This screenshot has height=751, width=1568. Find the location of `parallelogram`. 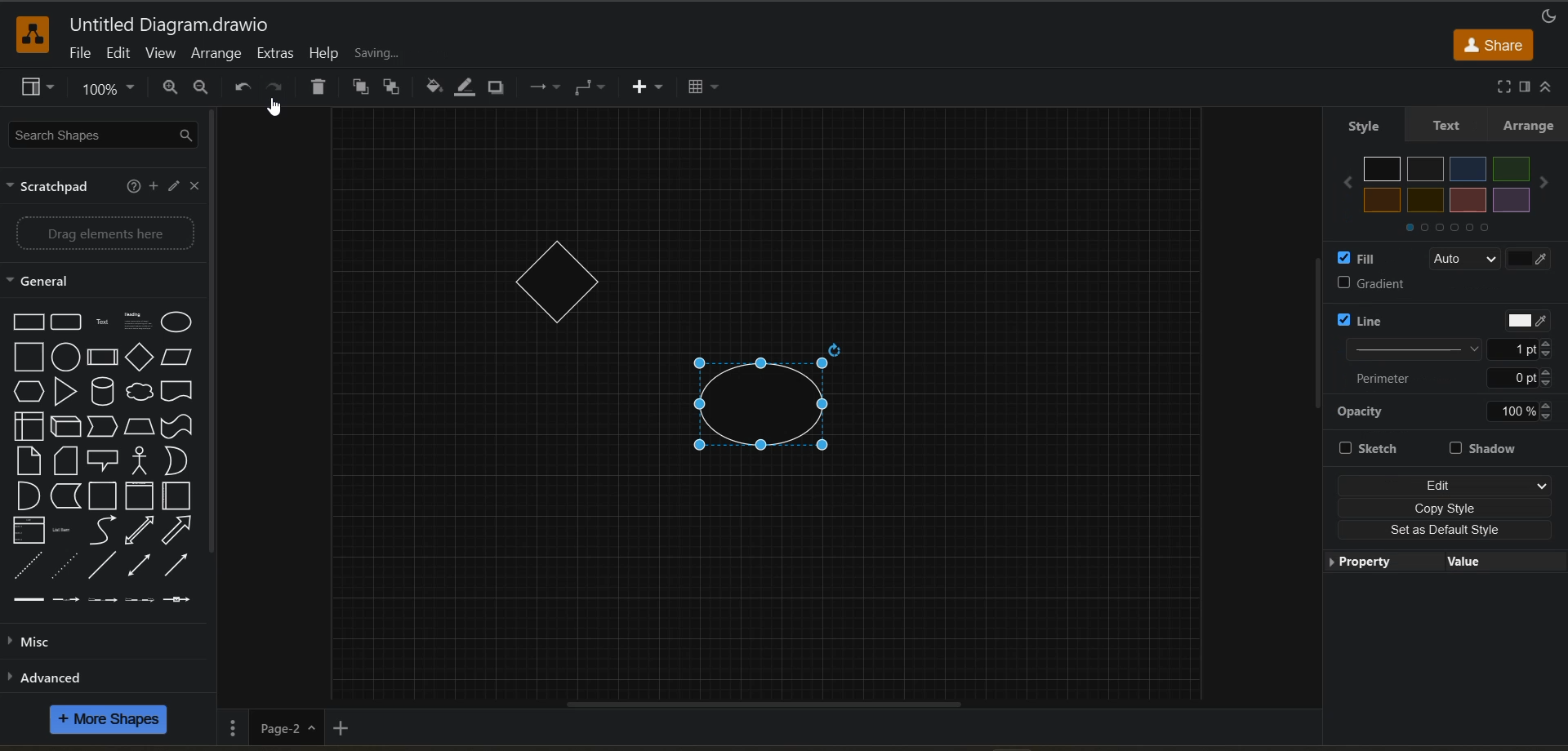

parallelogram is located at coordinates (176, 358).